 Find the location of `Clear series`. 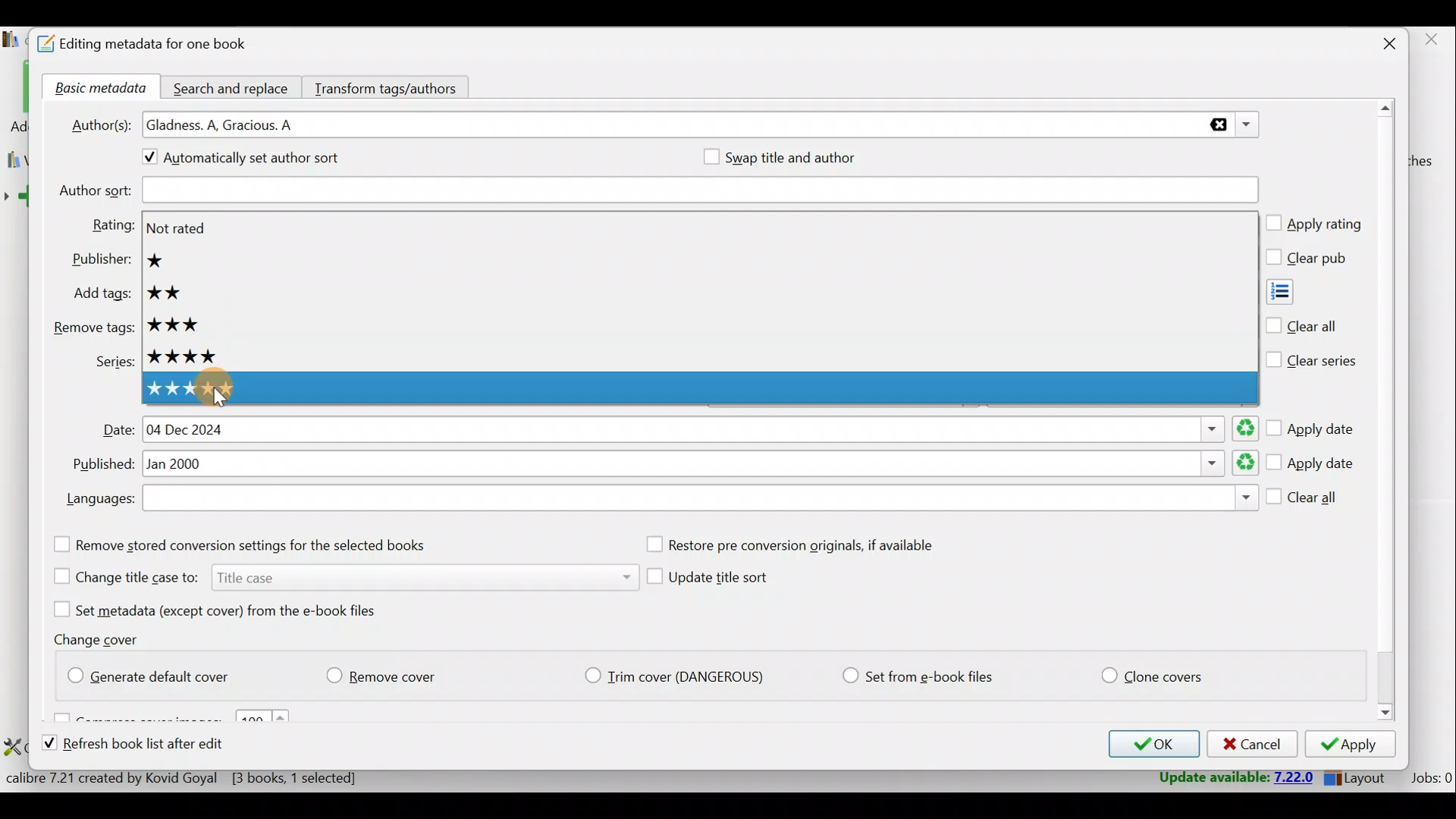

Clear series is located at coordinates (1313, 357).